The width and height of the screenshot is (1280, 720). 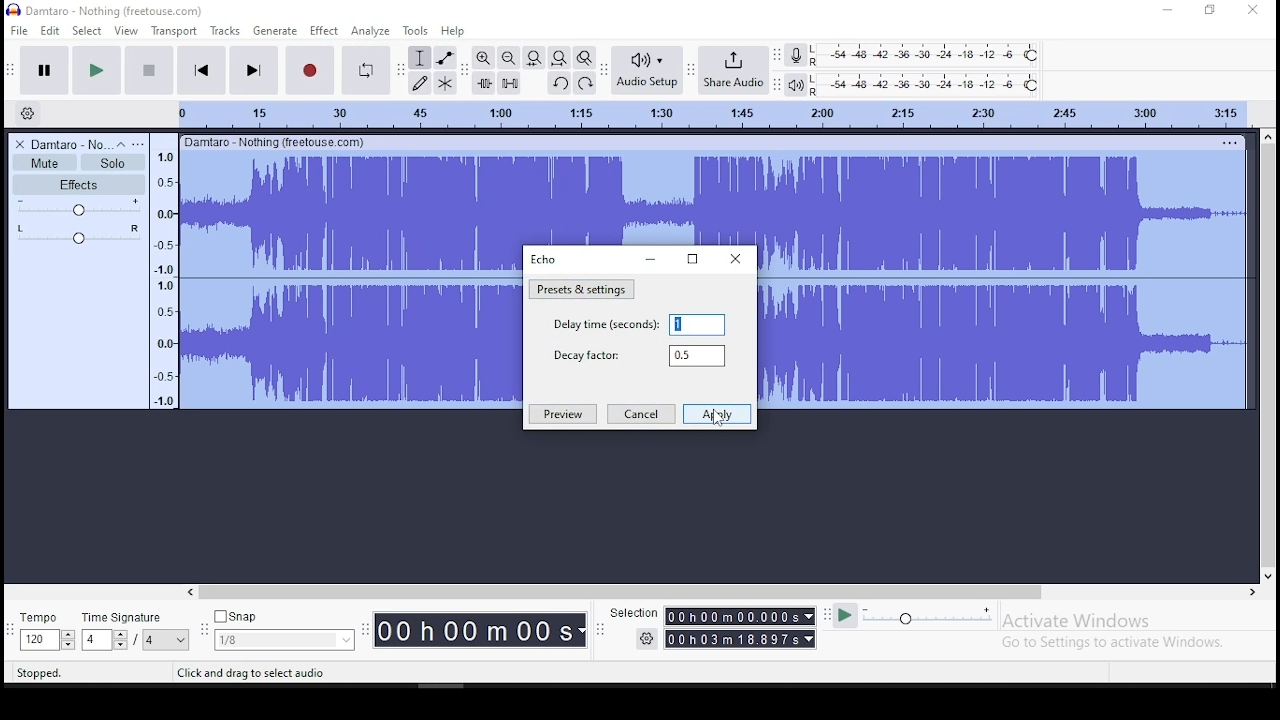 I want to click on help, so click(x=454, y=30).